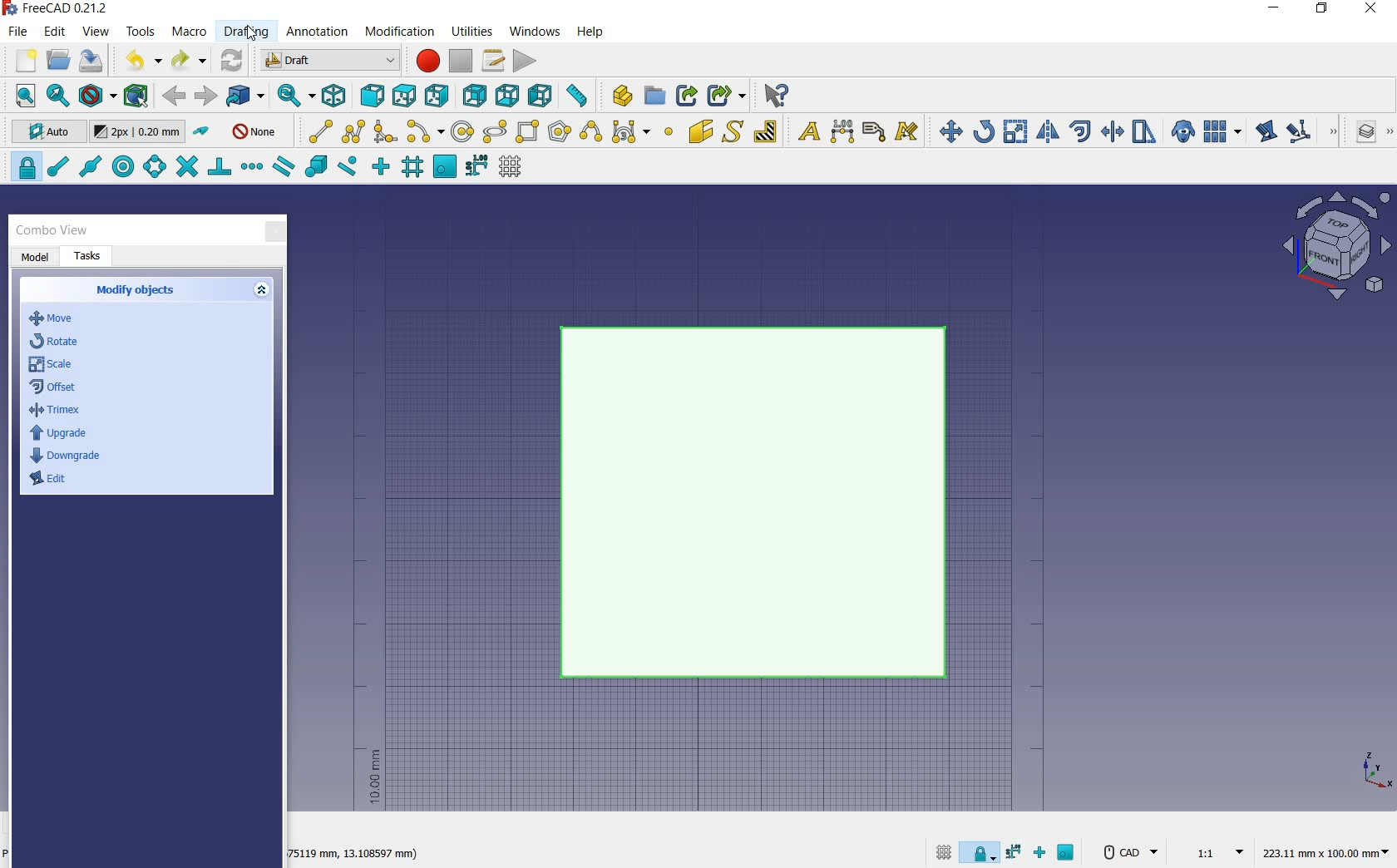 The height and width of the screenshot is (868, 1397). What do you see at coordinates (1181, 133) in the screenshot?
I see `create a clone` at bounding box center [1181, 133].